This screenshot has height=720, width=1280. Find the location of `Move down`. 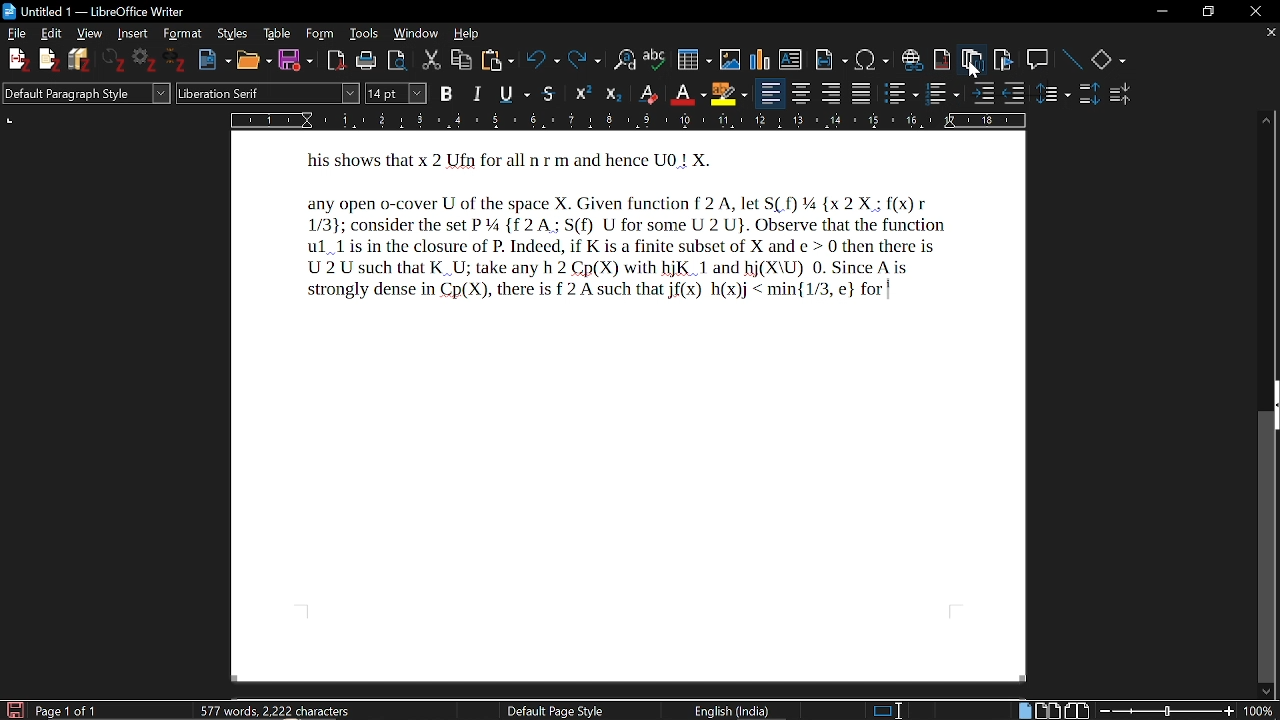

Move down is located at coordinates (1266, 691).